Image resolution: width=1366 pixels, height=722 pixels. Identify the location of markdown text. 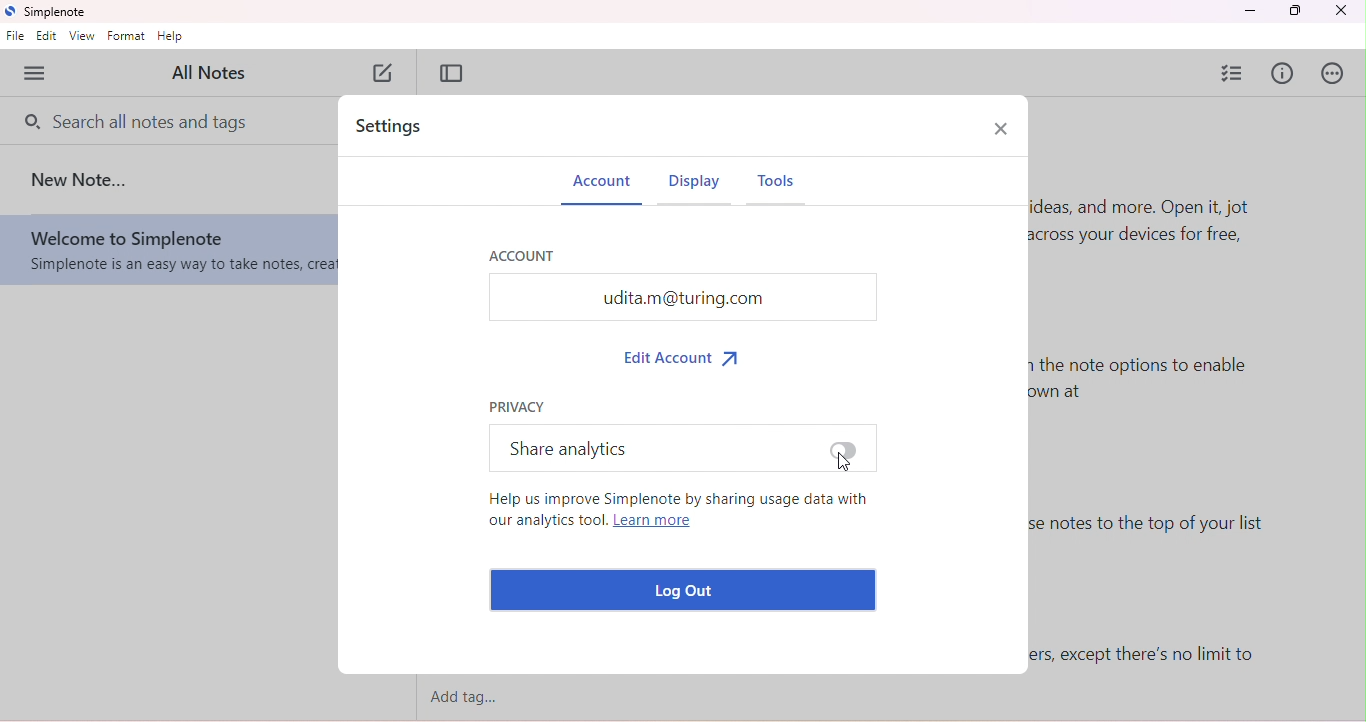
(1147, 388).